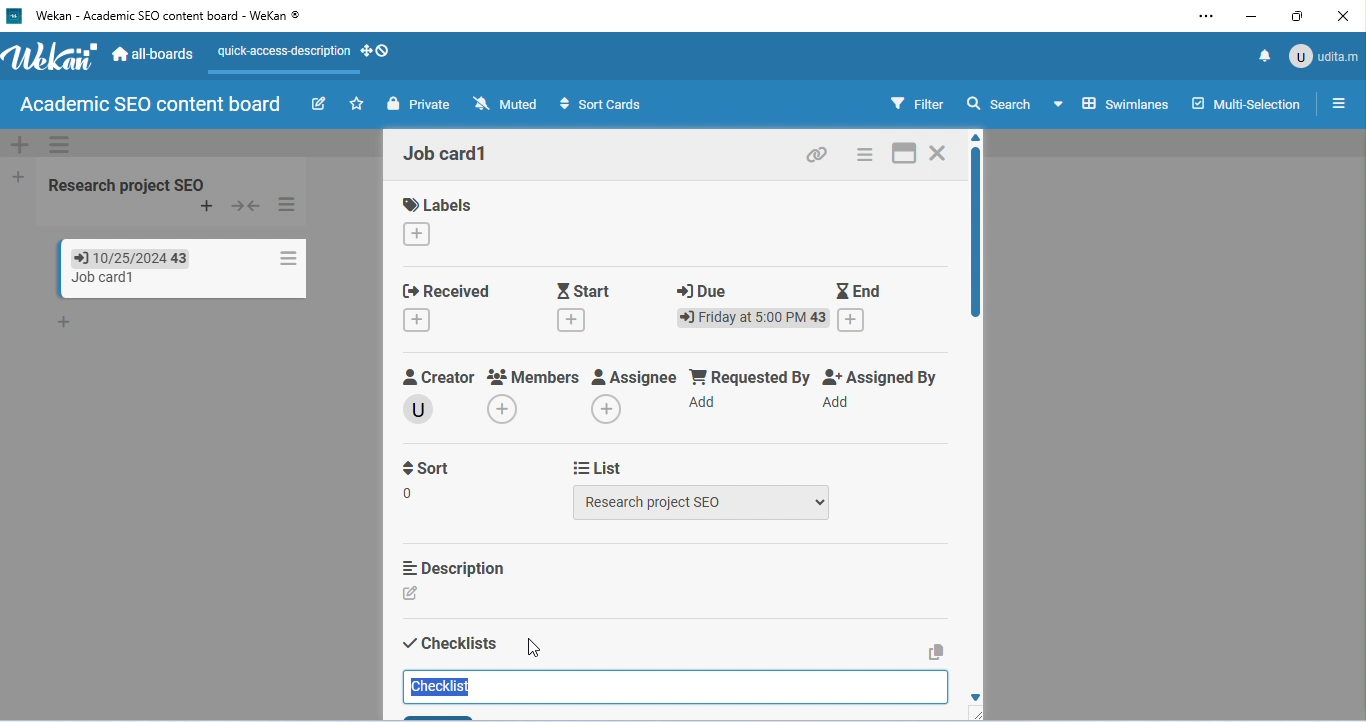 This screenshot has height=722, width=1366. What do you see at coordinates (131, 184) in the screenshot?
I see `list name: Research project SEO` at bounding box center [131, 184].